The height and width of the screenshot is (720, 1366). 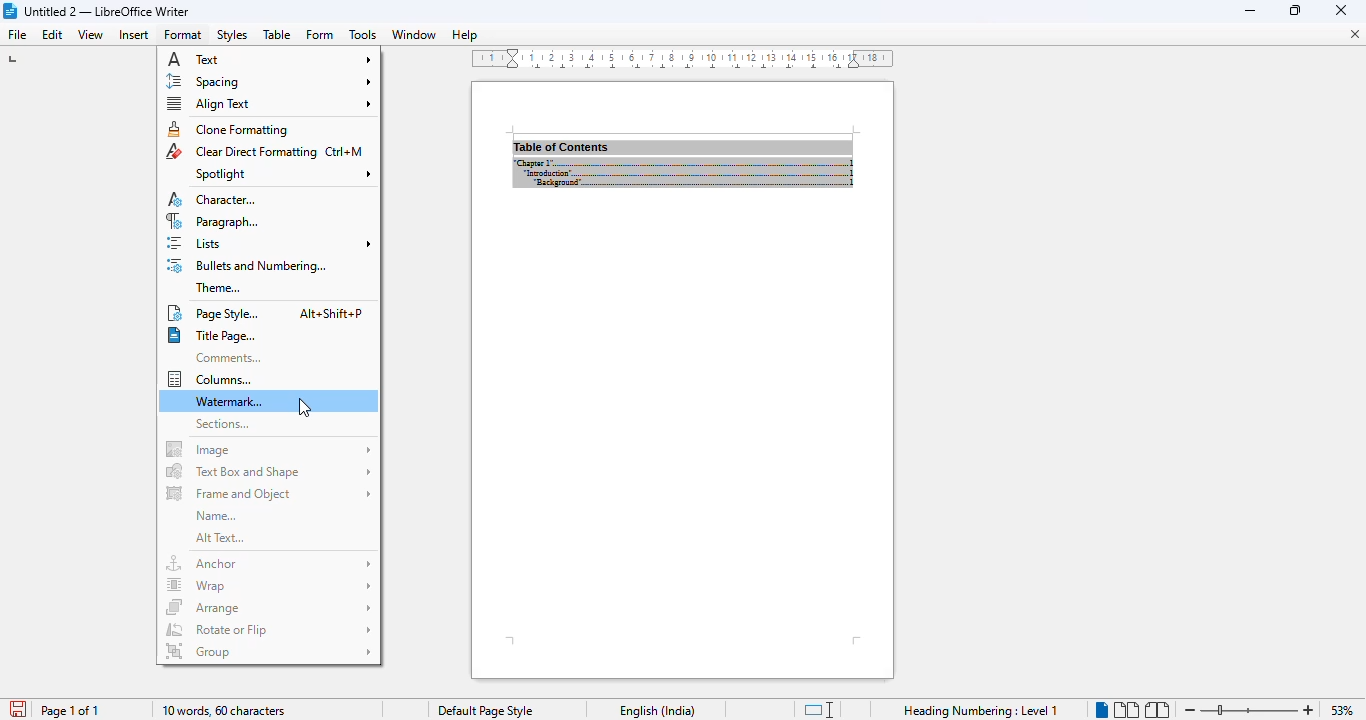 What do you see at coordinates (213, 221) in the screenshot?
I see `paragraph` at bounding box center [213, 221].